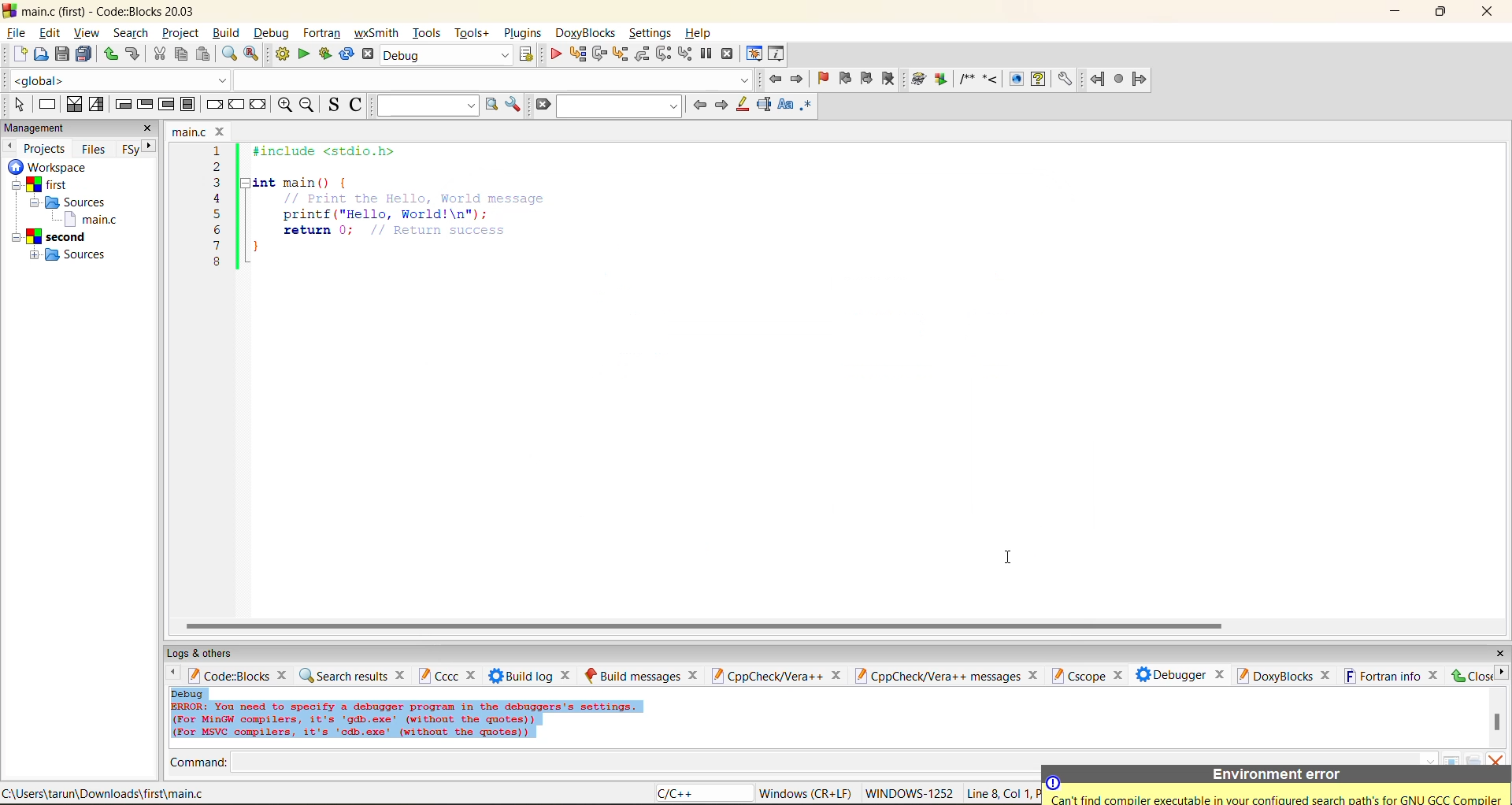  Describe the element at coordinates (343, 675) in the screenshot. I see `search results` at that location.